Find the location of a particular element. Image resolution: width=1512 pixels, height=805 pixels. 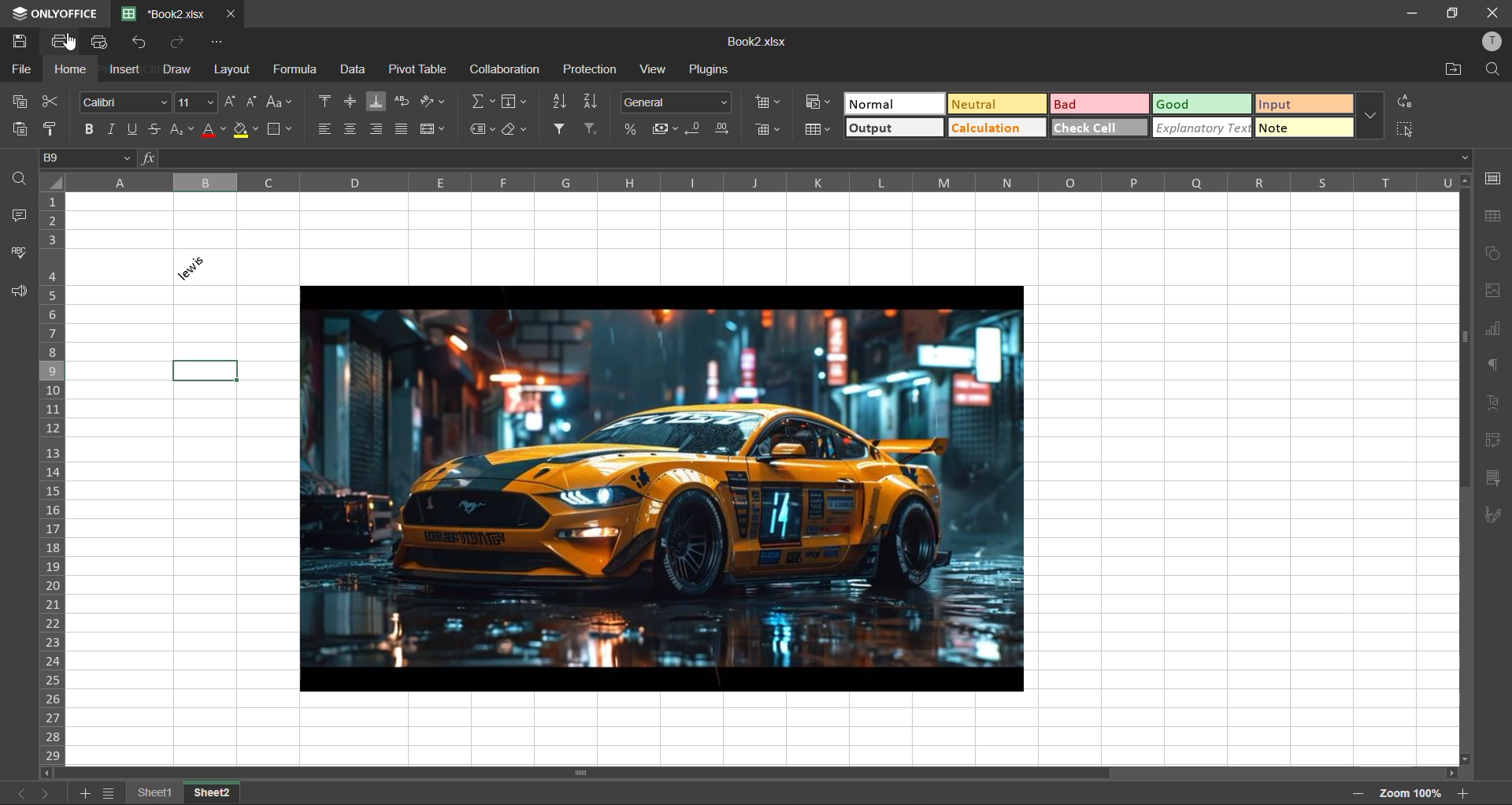

font color is located at coordinates (213, 131).